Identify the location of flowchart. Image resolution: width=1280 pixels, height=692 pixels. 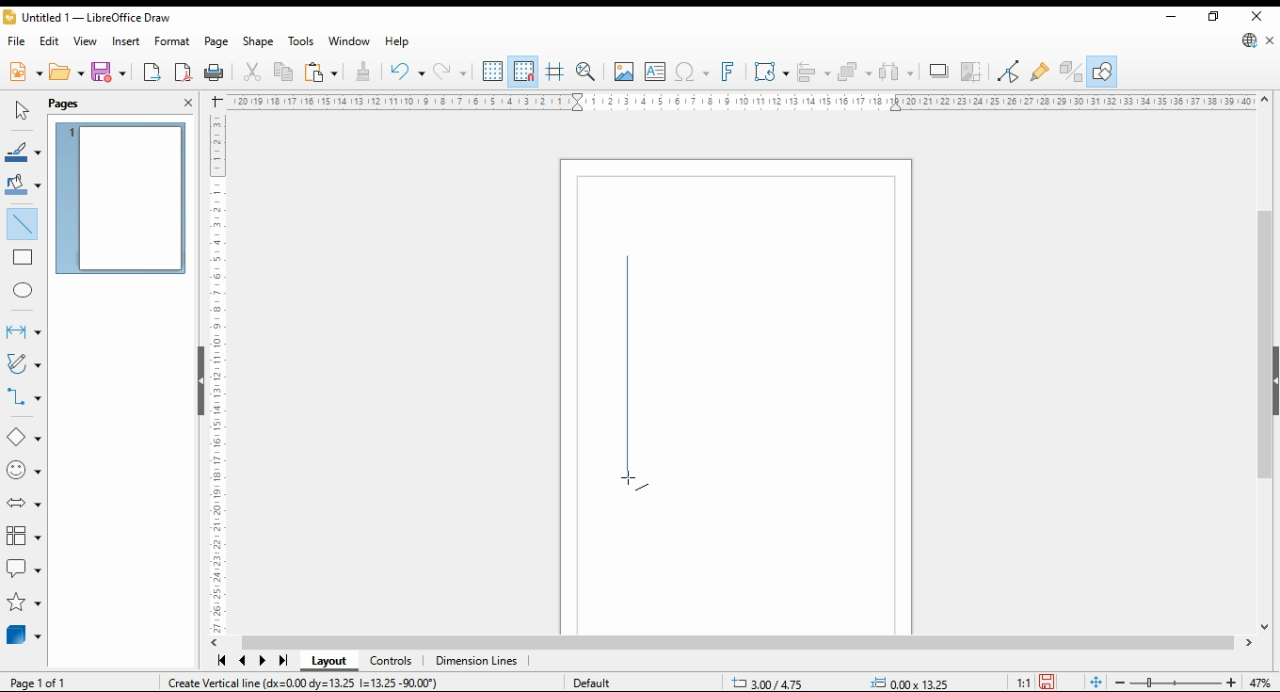
(21, 536).